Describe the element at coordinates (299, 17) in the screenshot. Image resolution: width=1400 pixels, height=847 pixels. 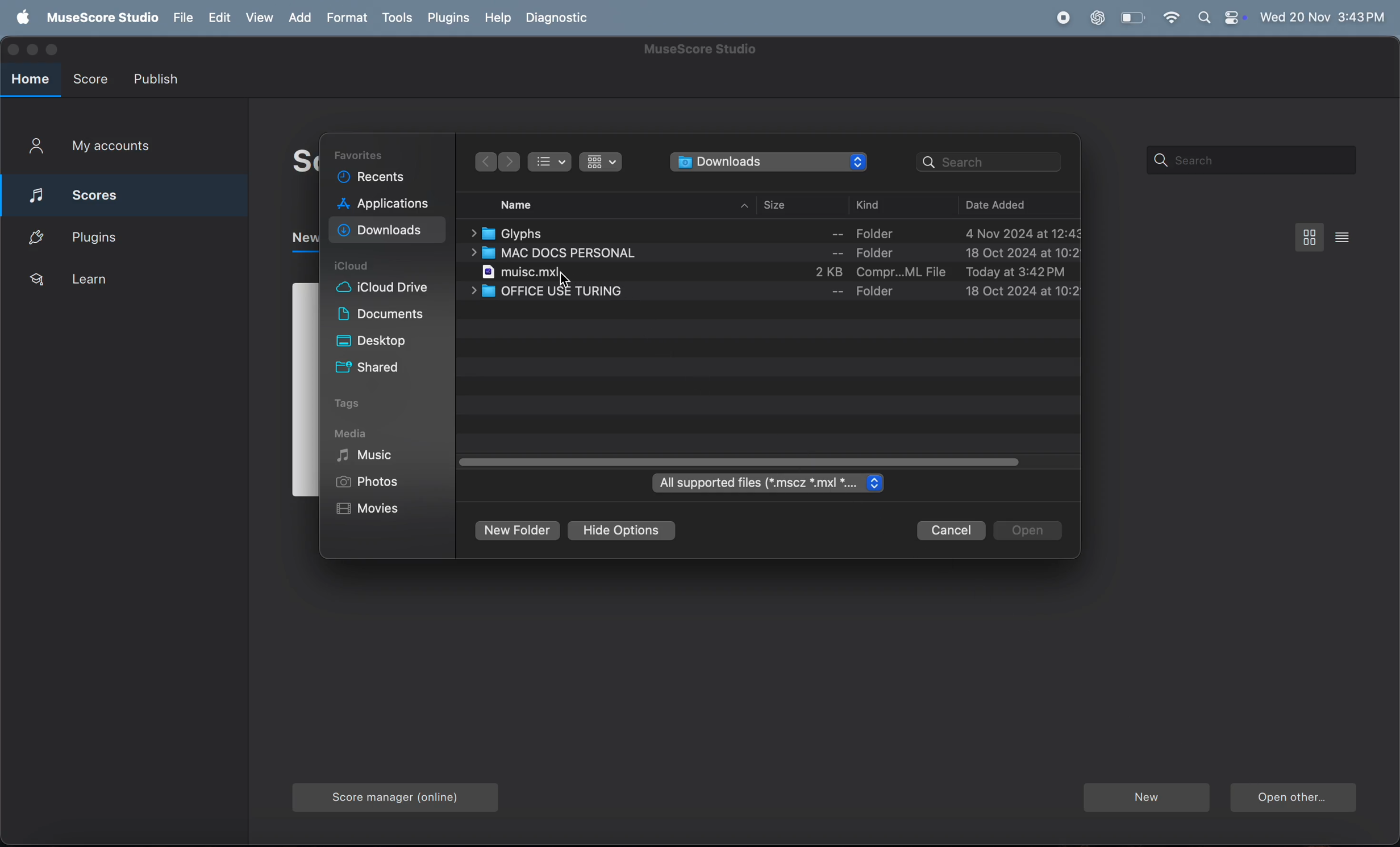
I see `add` at that location.